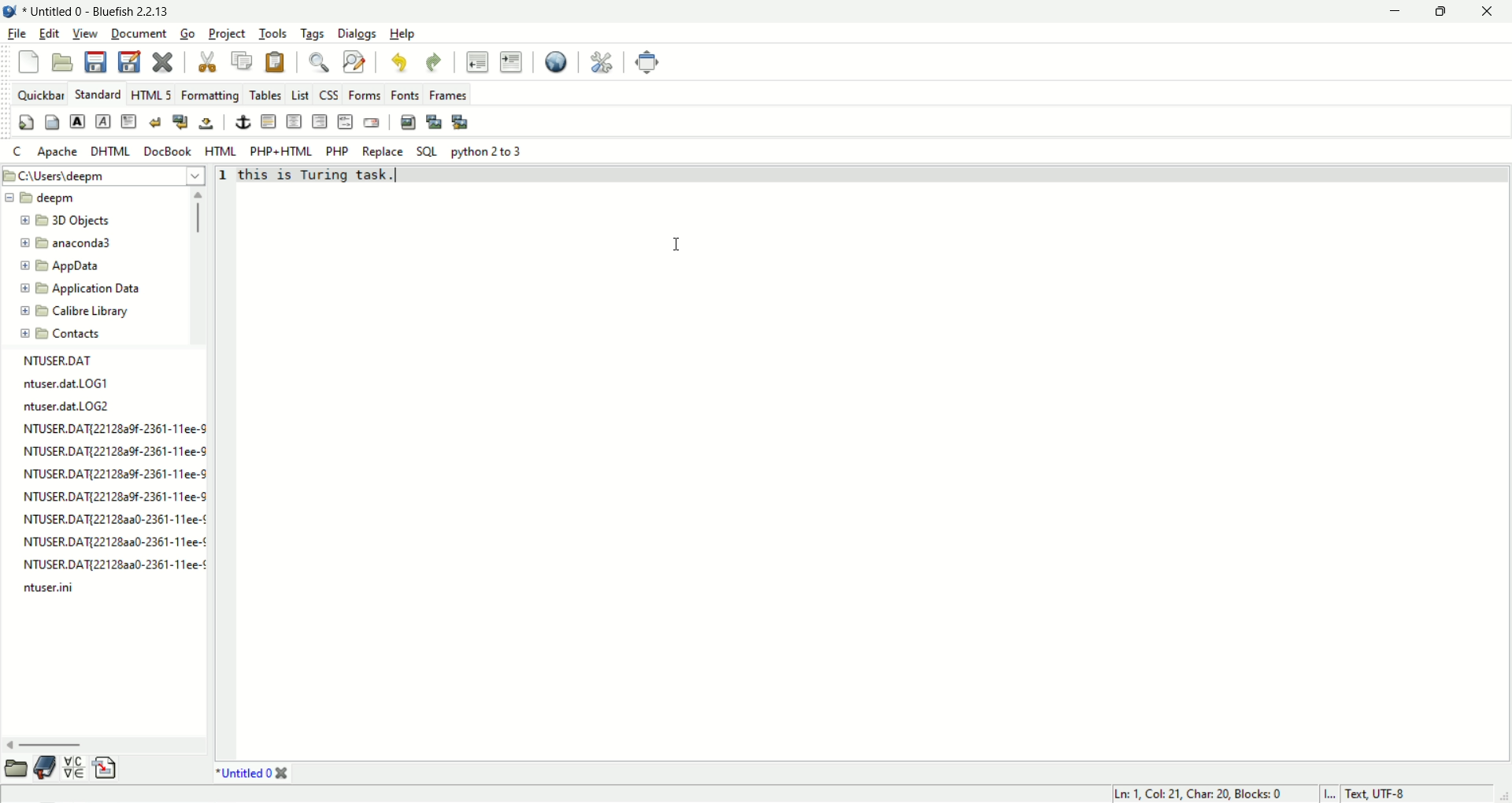  Describe the element at coordinates (402, 34) in the screenshot. I see `Help` at that location.